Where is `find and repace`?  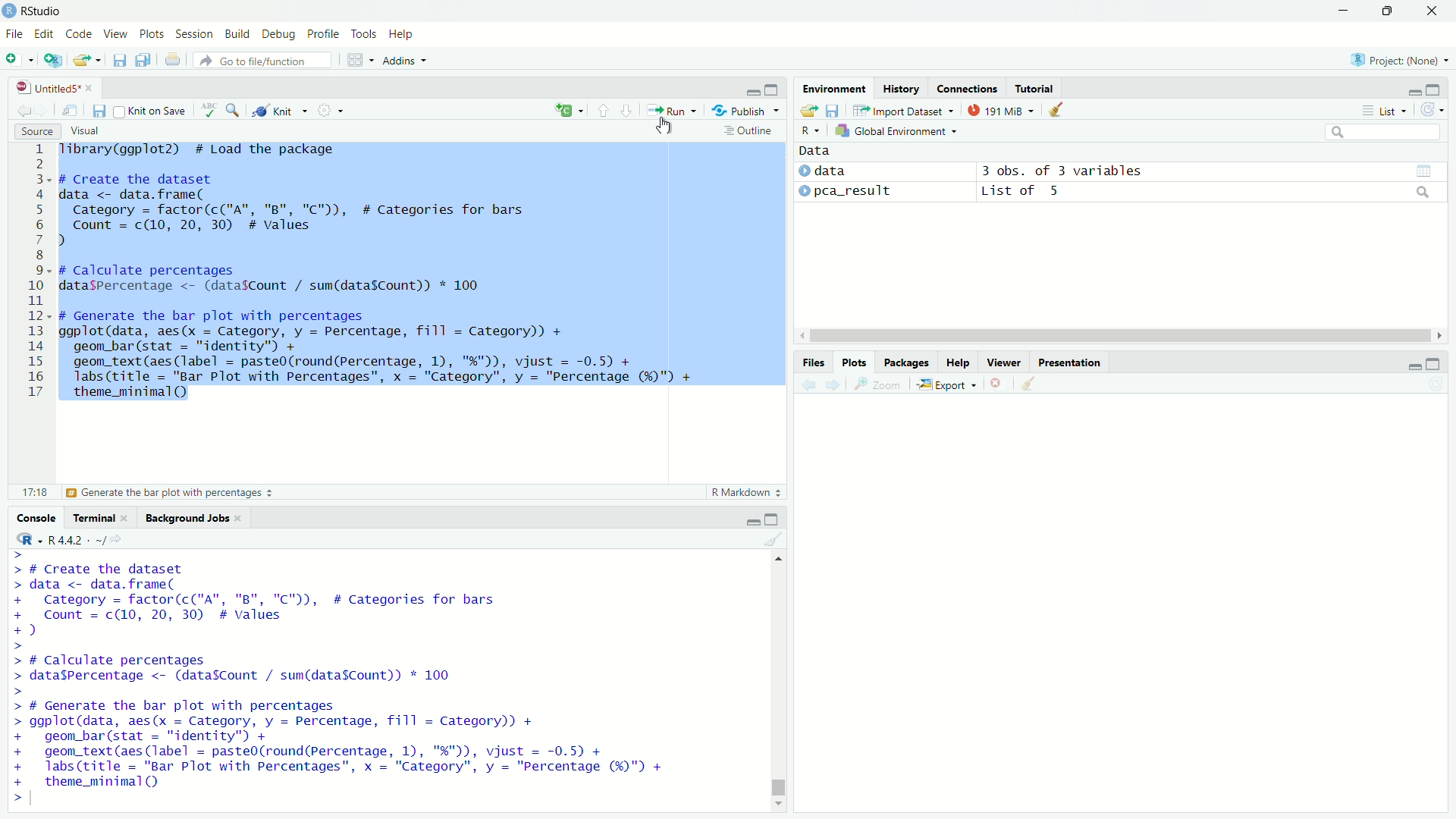
find and repace is located at coordinates (234, 110).